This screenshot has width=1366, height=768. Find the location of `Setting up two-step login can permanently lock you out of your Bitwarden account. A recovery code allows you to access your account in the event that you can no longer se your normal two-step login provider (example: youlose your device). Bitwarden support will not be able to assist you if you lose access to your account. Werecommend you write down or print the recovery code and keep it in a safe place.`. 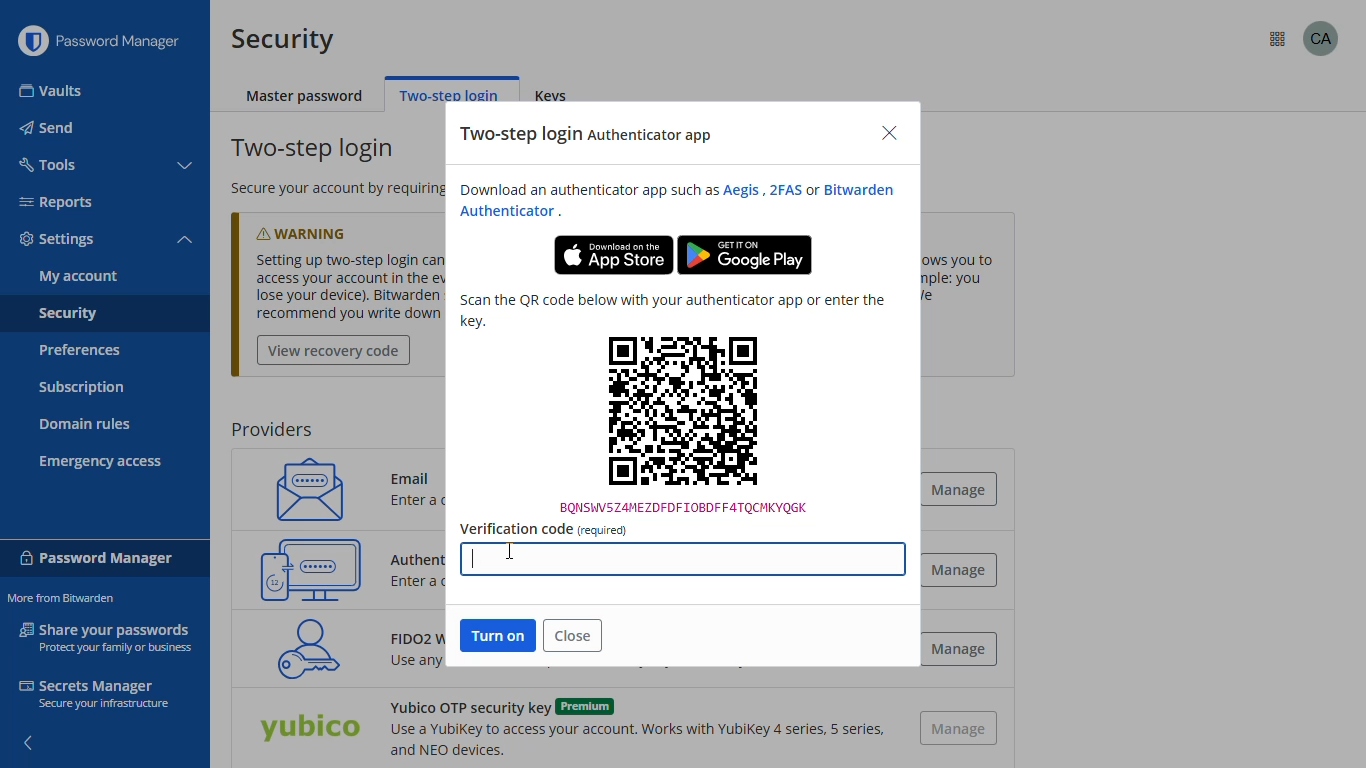

Setting up two-step login can permanently lock you out of your Bitwarden account. A recovery code allows you to access your account in the event that you can no longer se your normal two-step login provider (example: youlose your device). Bitwarden support will not be able to assist you if you lose access to your account. Werecommend you write down or print the recovery code and keep it in a safe place. is located at coordinates (349, 287).